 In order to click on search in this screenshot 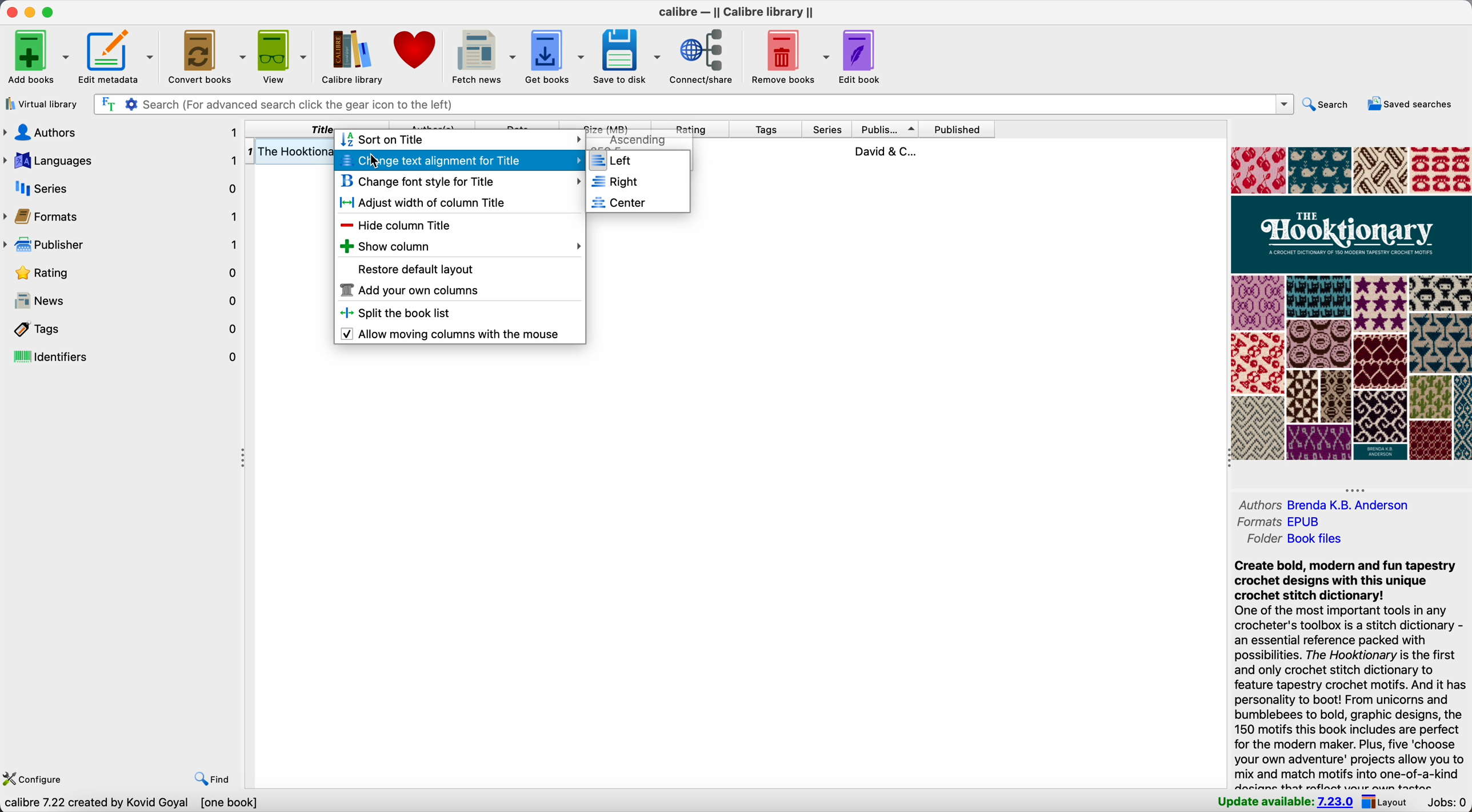, I will do `click(1329, 102)`.